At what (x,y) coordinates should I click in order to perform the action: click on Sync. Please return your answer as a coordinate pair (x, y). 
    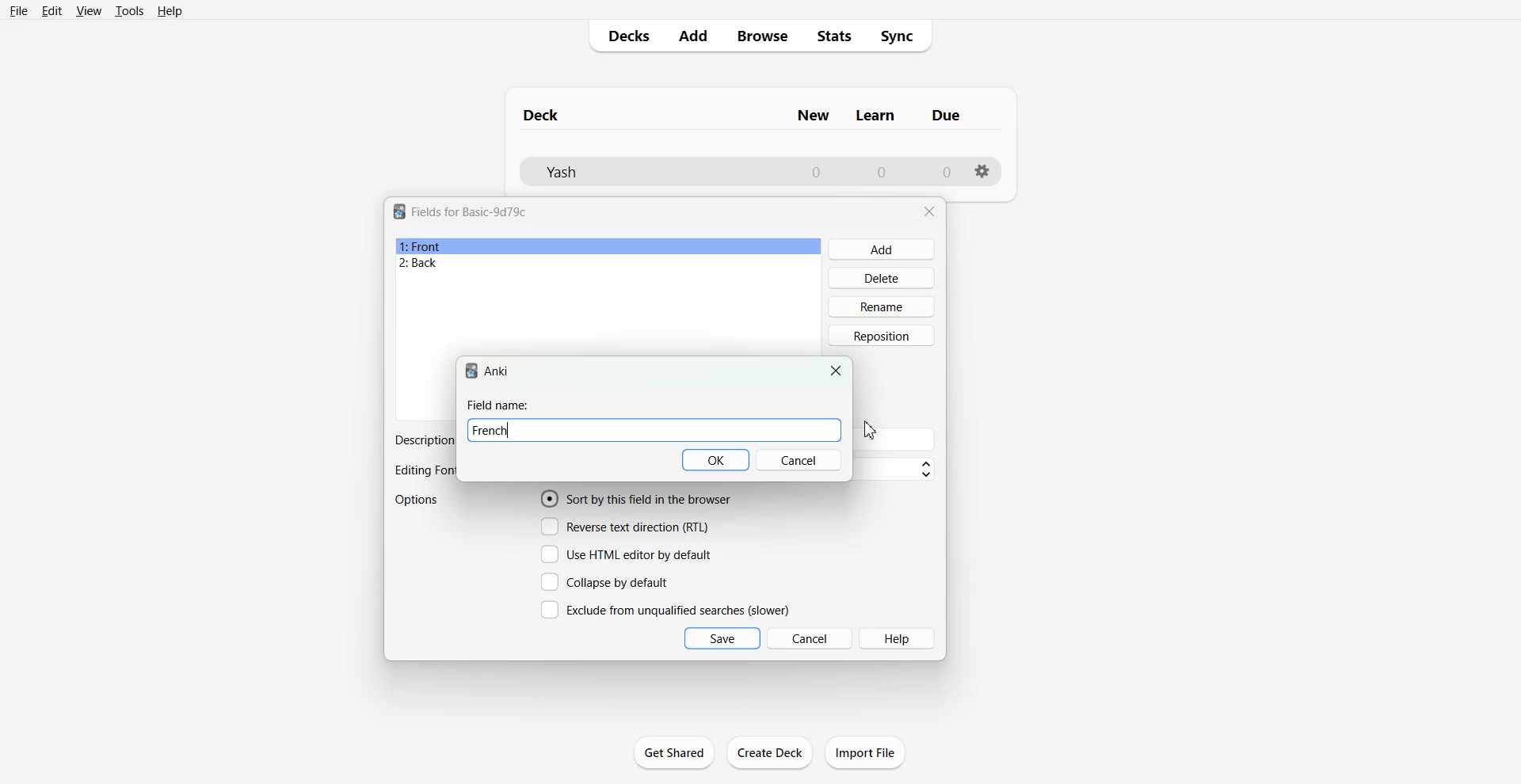
    Looking at the image, I should click on (902, 36).